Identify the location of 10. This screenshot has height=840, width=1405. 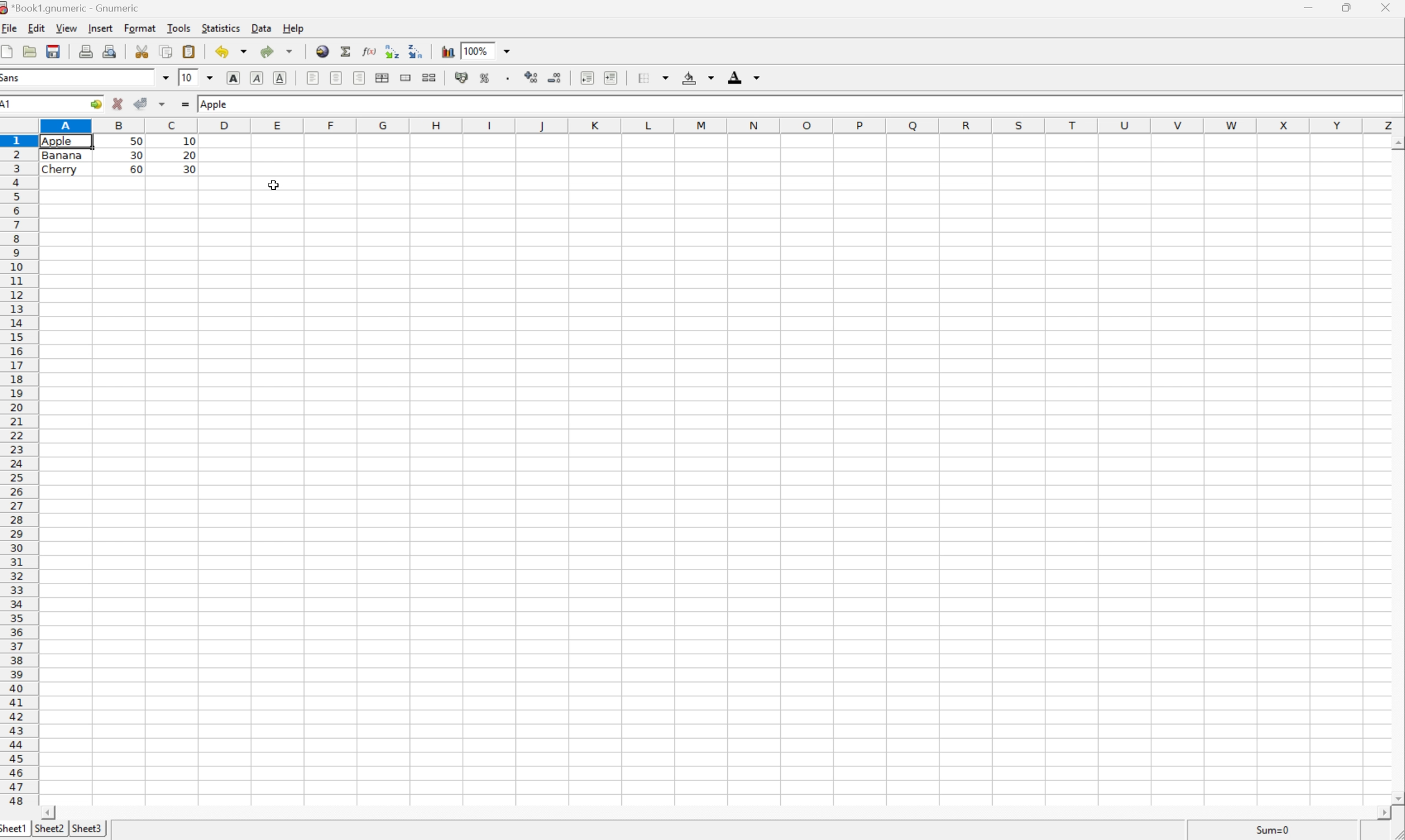
(185, 77).